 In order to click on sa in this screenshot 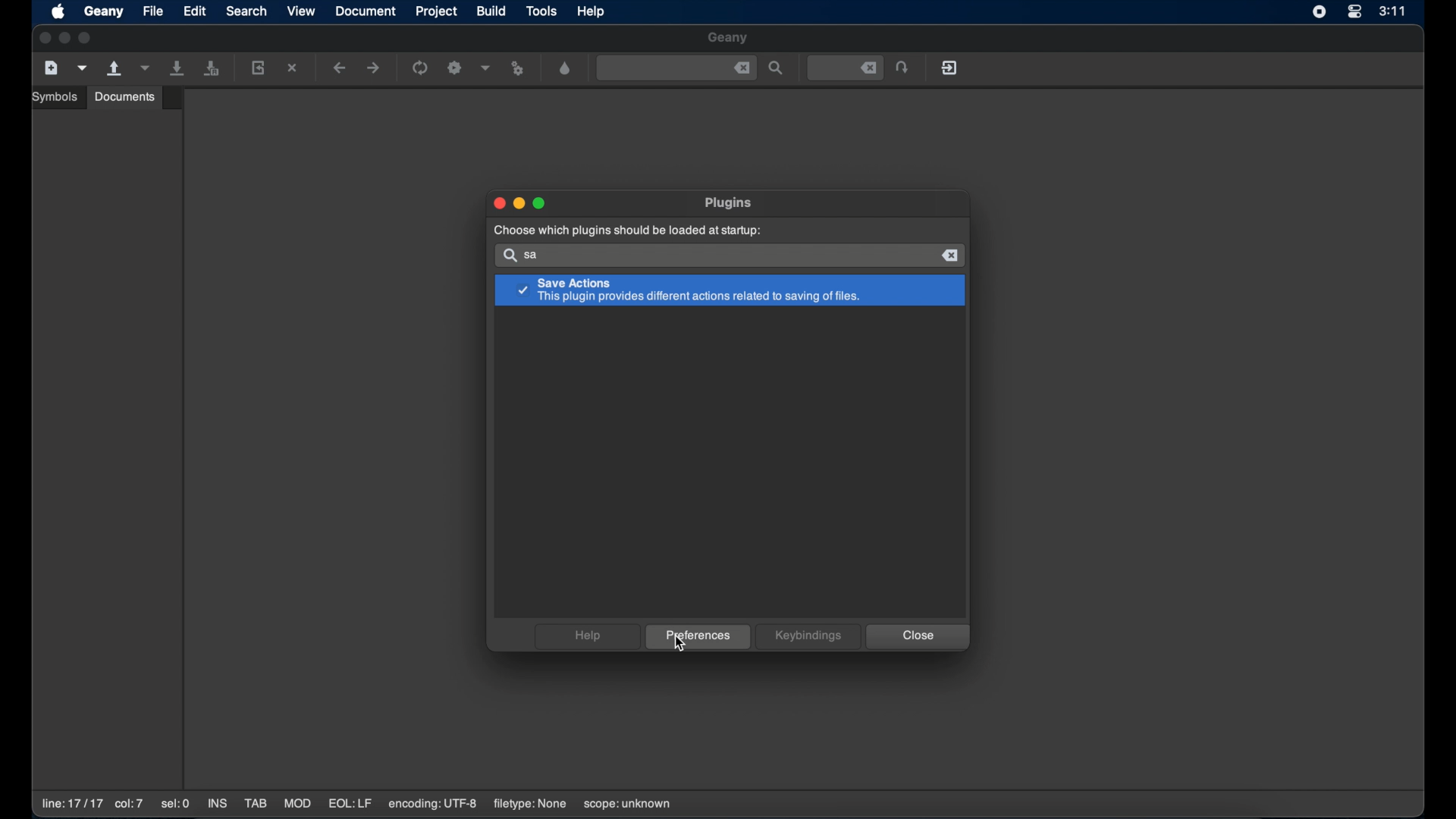, I will do `click(535, 256)`.